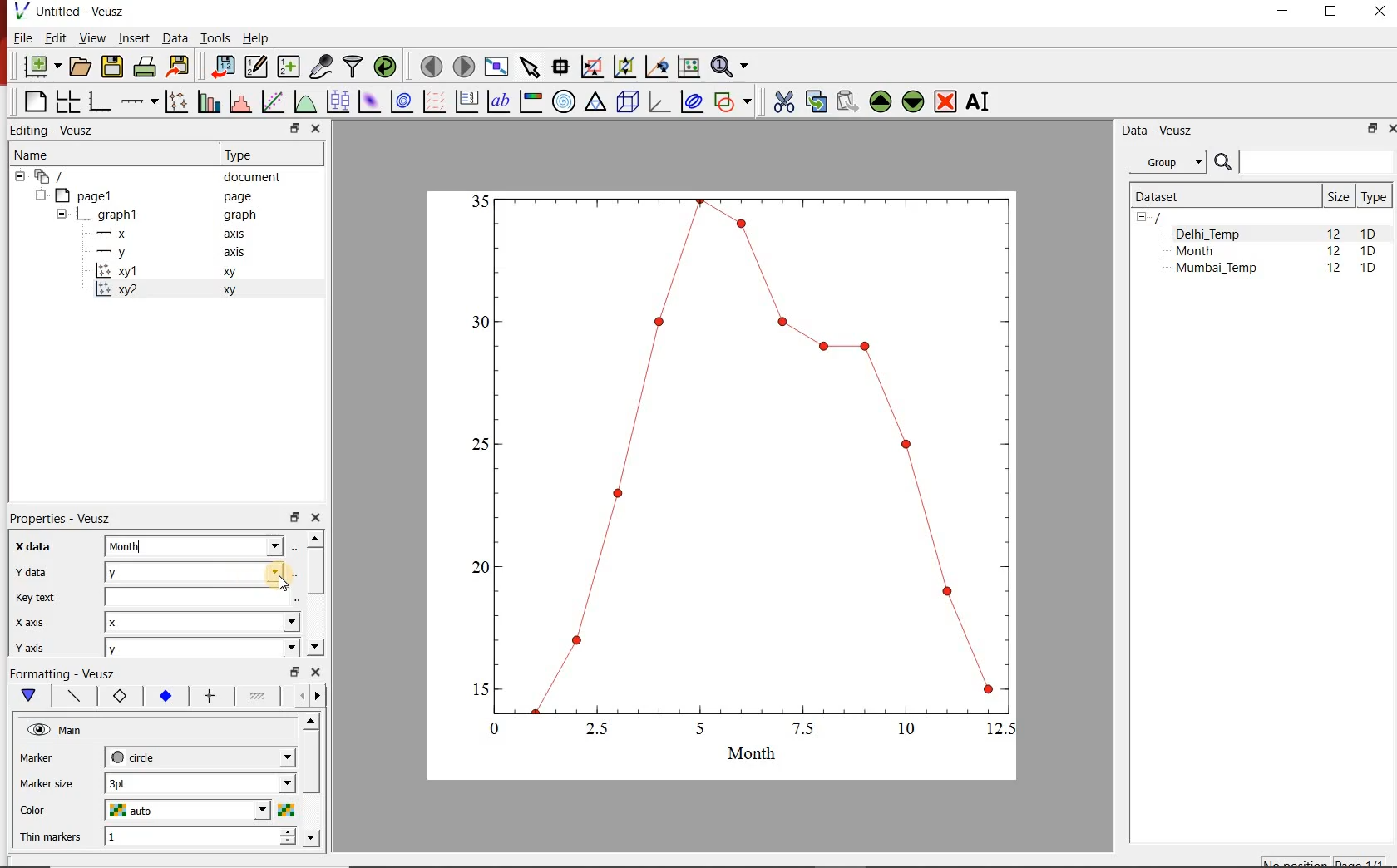 The height and width of the screenshot is (868, 1397). What do you see at coordinates (203, 570) in the screenshot?
I see `Delhi_Temp` at bounding box center [203, 570].